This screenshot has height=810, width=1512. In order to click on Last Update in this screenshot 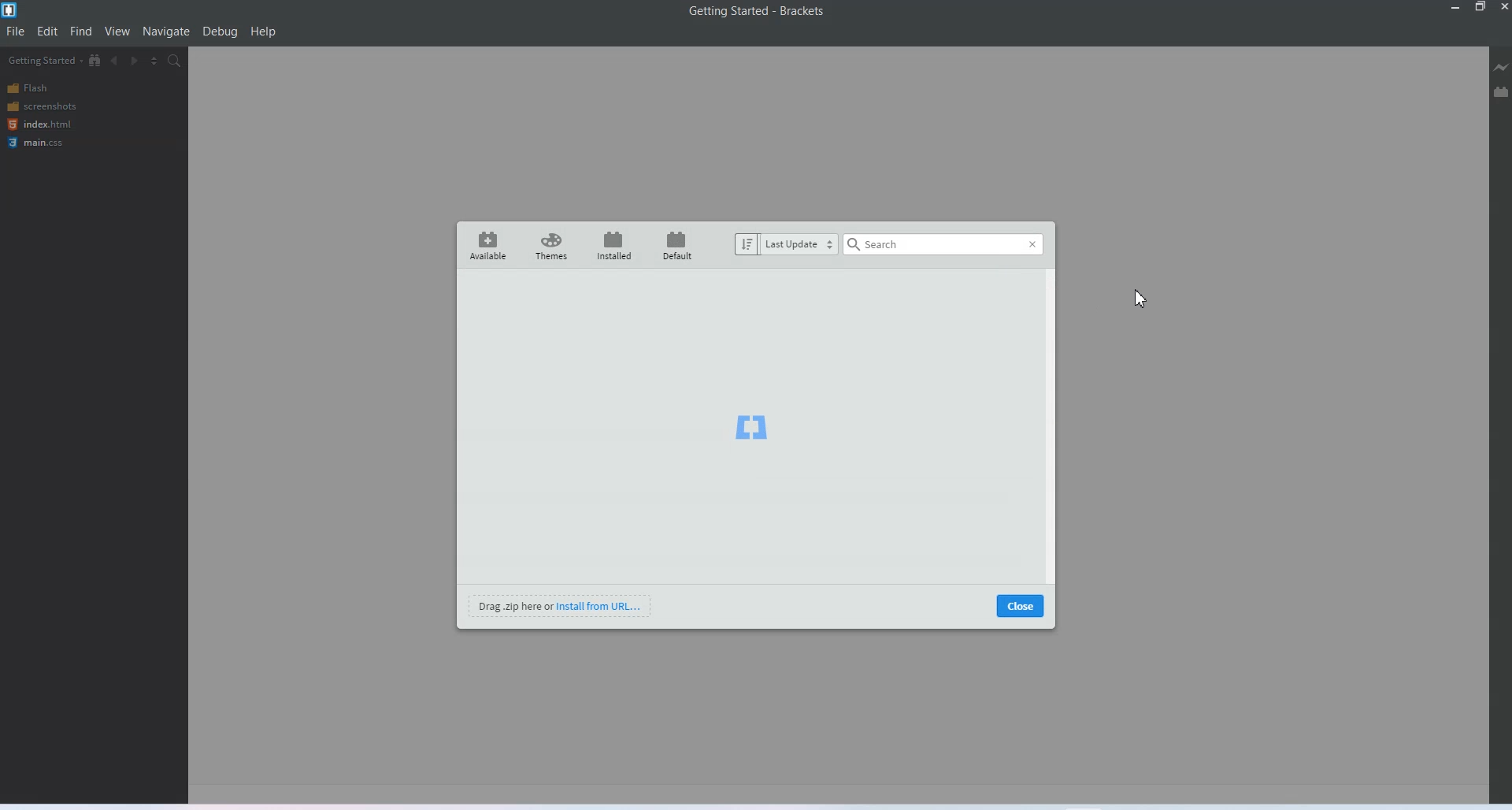, I will do `click(786, 244)`.